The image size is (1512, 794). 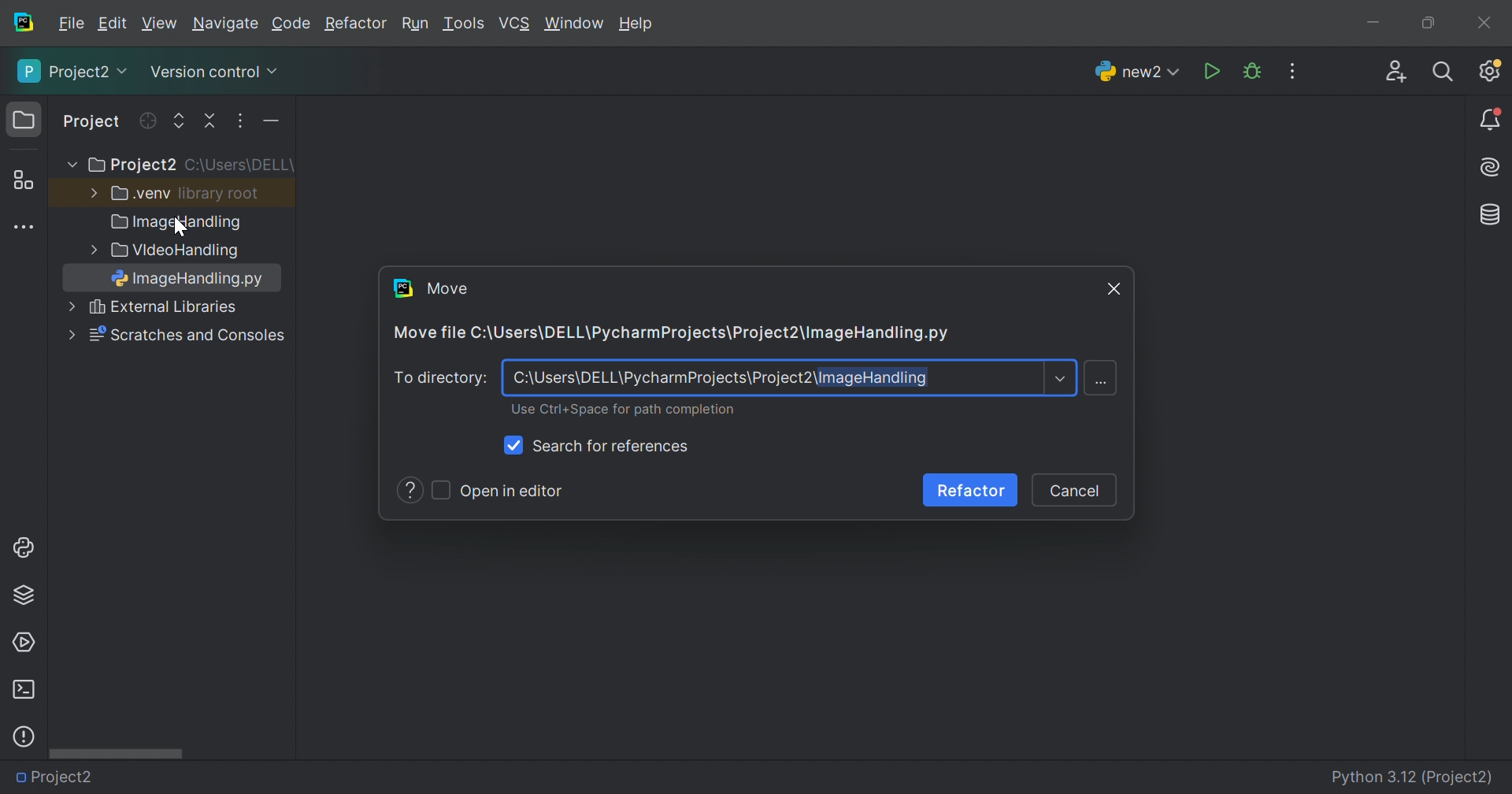 I want to click on more, so click(x=66, y=309).